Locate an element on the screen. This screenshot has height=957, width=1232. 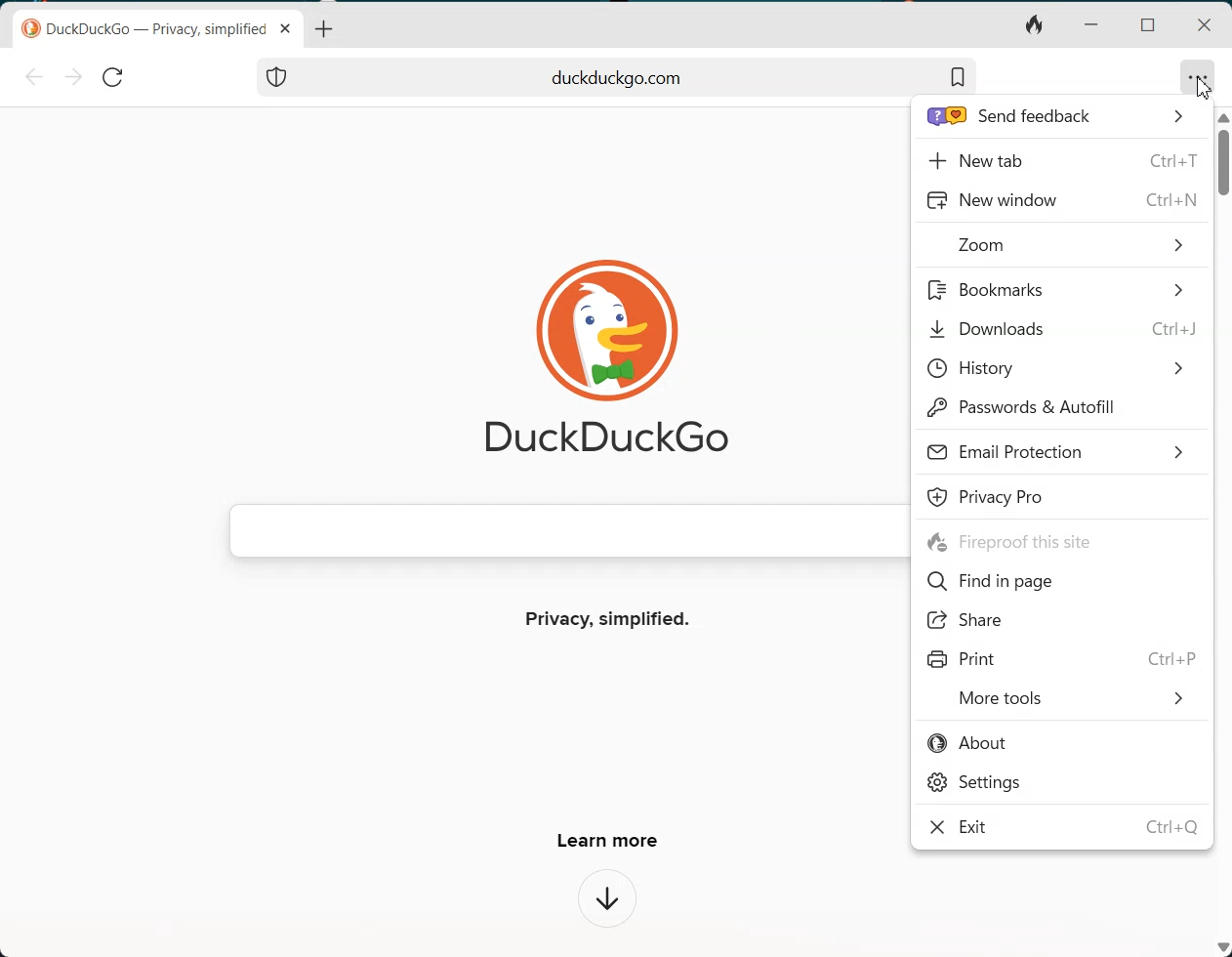
New tab is located at coordinates (1061, 159).